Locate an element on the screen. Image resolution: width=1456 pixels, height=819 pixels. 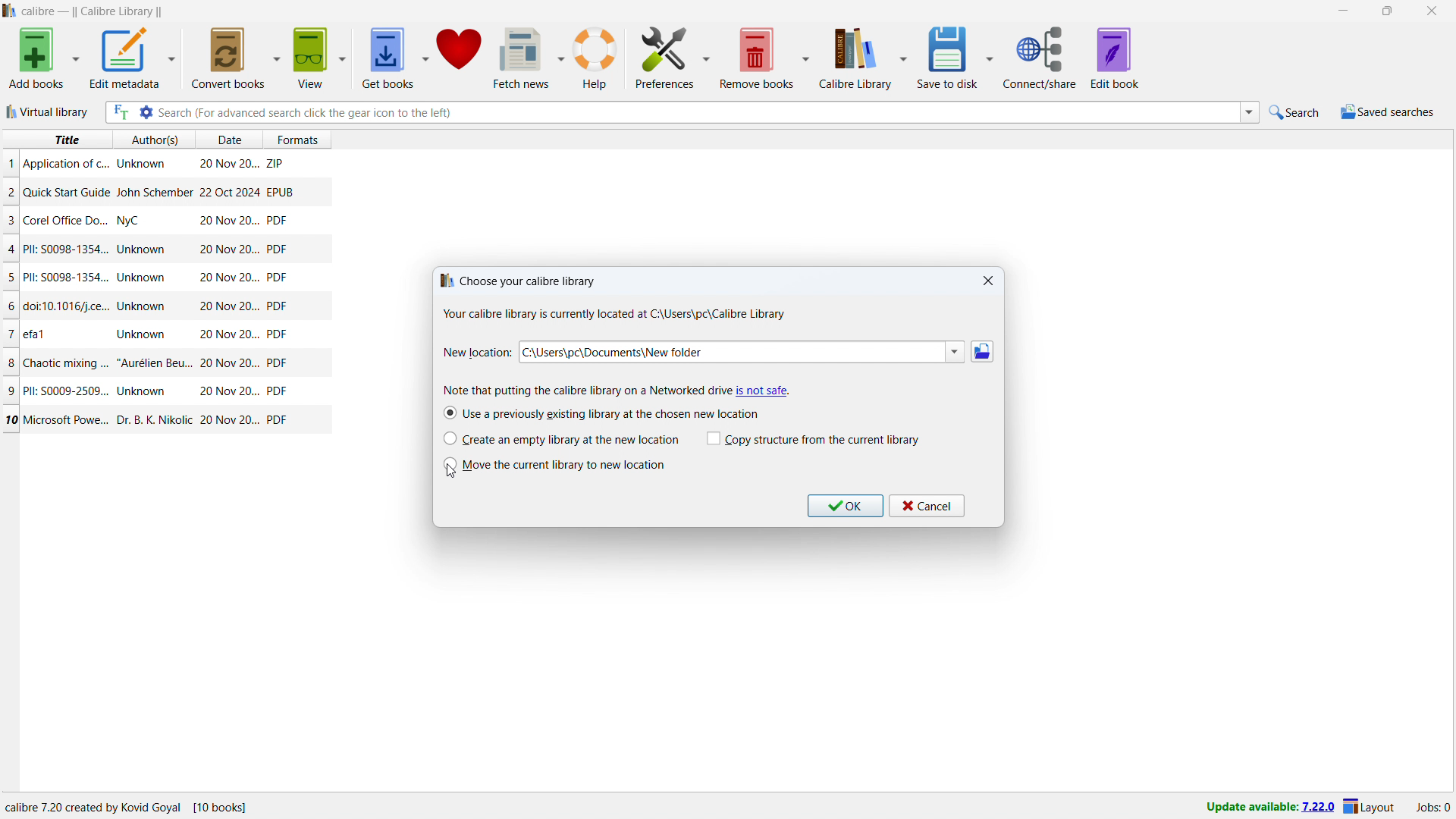
create an empty library at the new location is located at coordinates (561, 438).